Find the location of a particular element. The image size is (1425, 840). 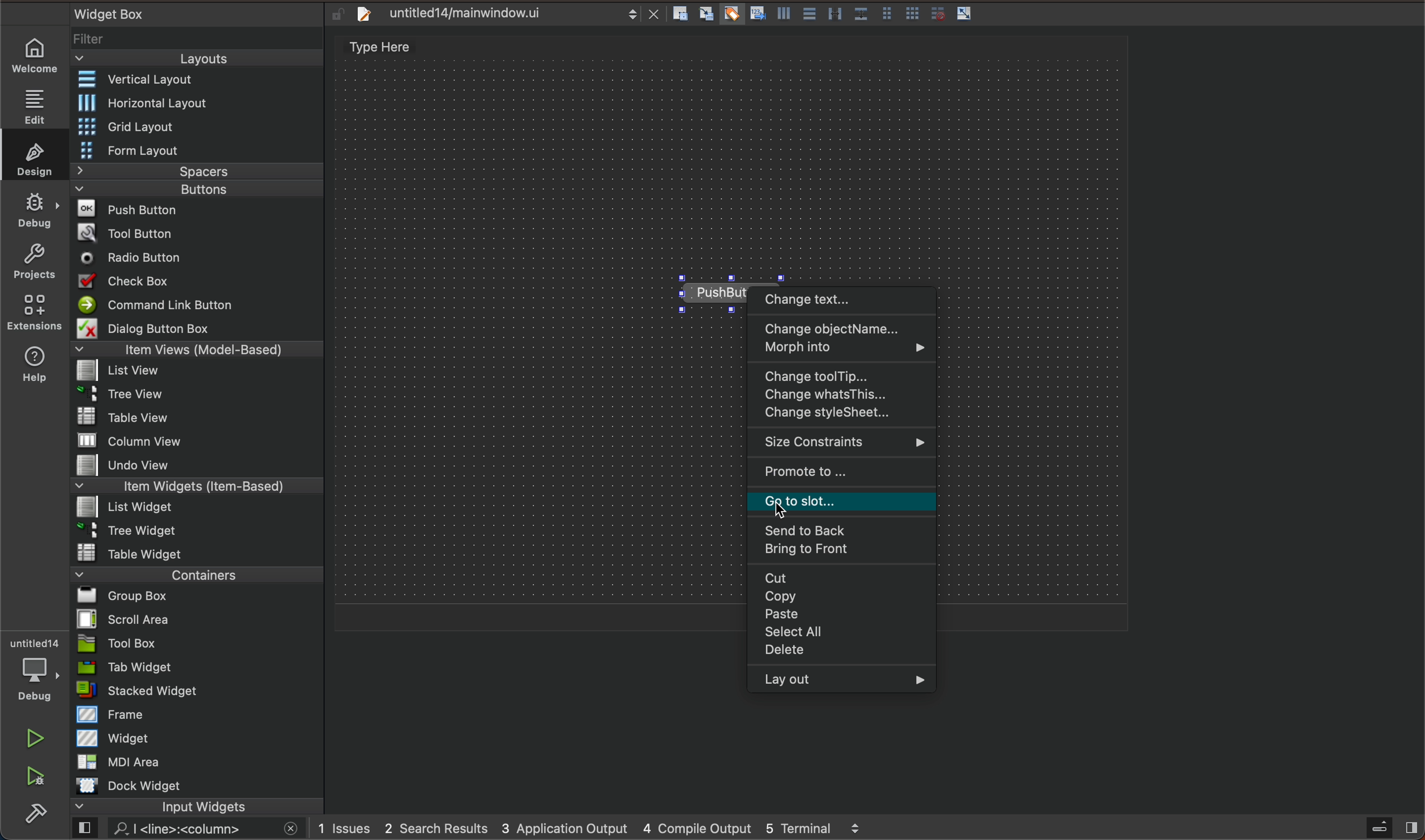

layout is located at coordinates (842, 682).